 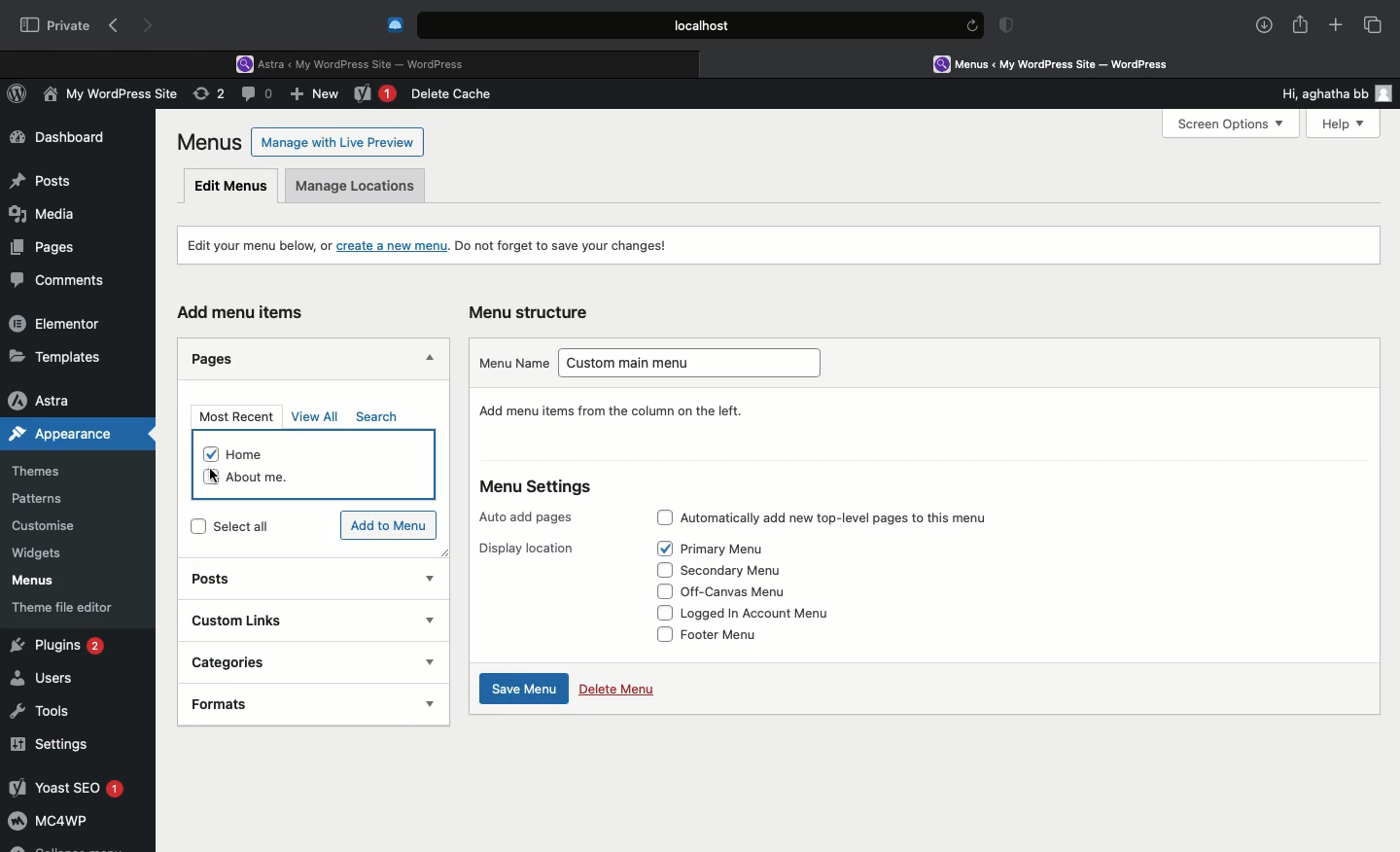 I want to click on Help, so click(x=1335, y=124).